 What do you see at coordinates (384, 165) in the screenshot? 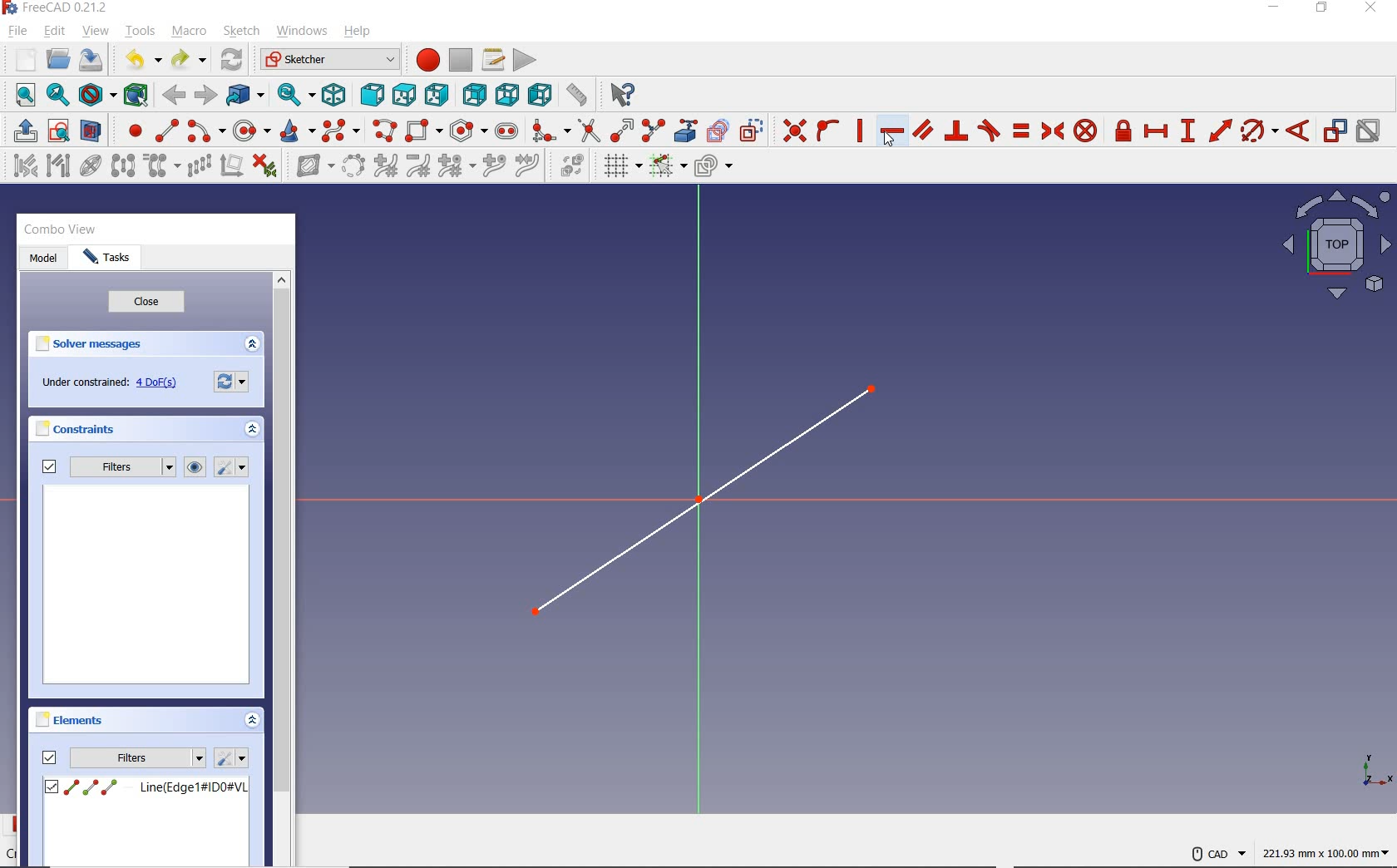
I see `INCREASE B-SPLINE DEGREE` at bounding box center [384, 165].